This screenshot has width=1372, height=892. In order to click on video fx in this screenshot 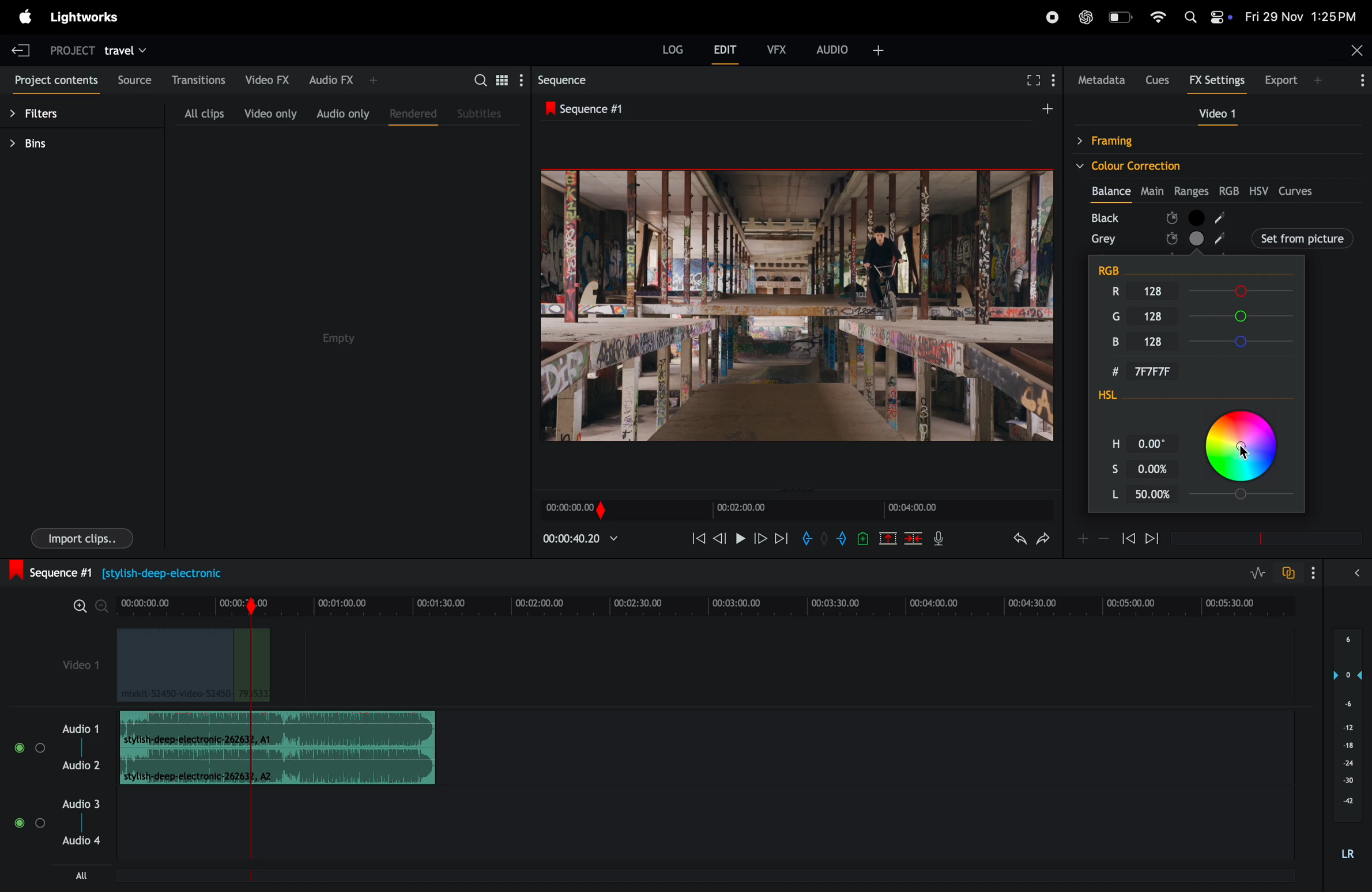, I will do `click(267, 80)`.